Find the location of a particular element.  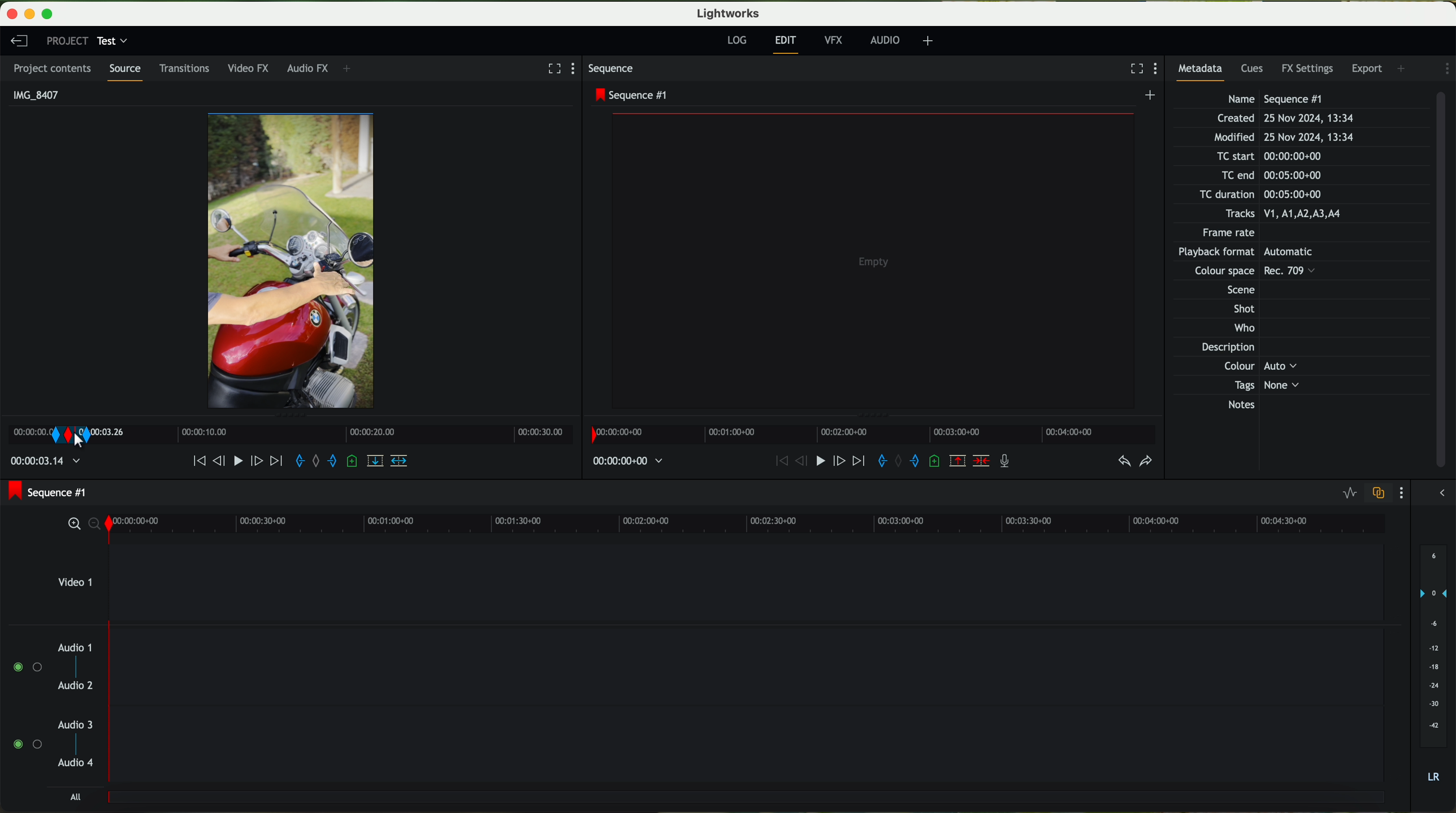

audio FX is located at coordinates (306, 68).